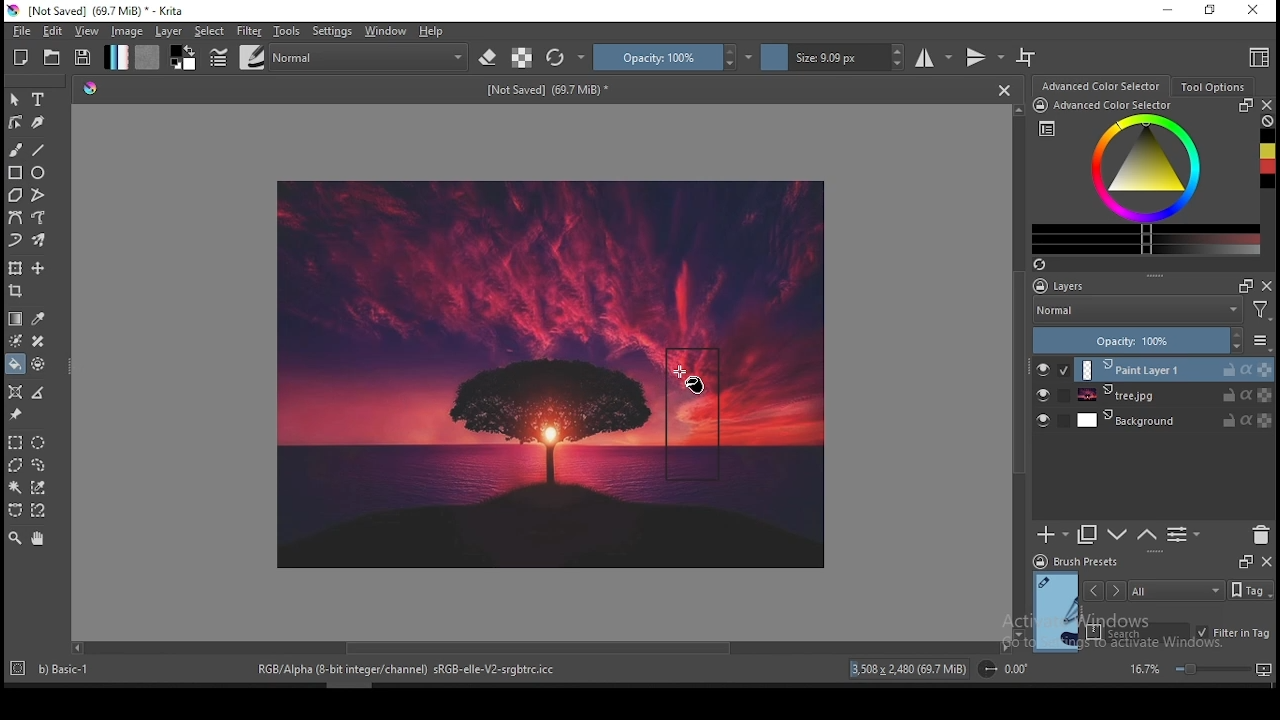 The image size is (1280, 720). I want to click on preview, so click(1054, 610).